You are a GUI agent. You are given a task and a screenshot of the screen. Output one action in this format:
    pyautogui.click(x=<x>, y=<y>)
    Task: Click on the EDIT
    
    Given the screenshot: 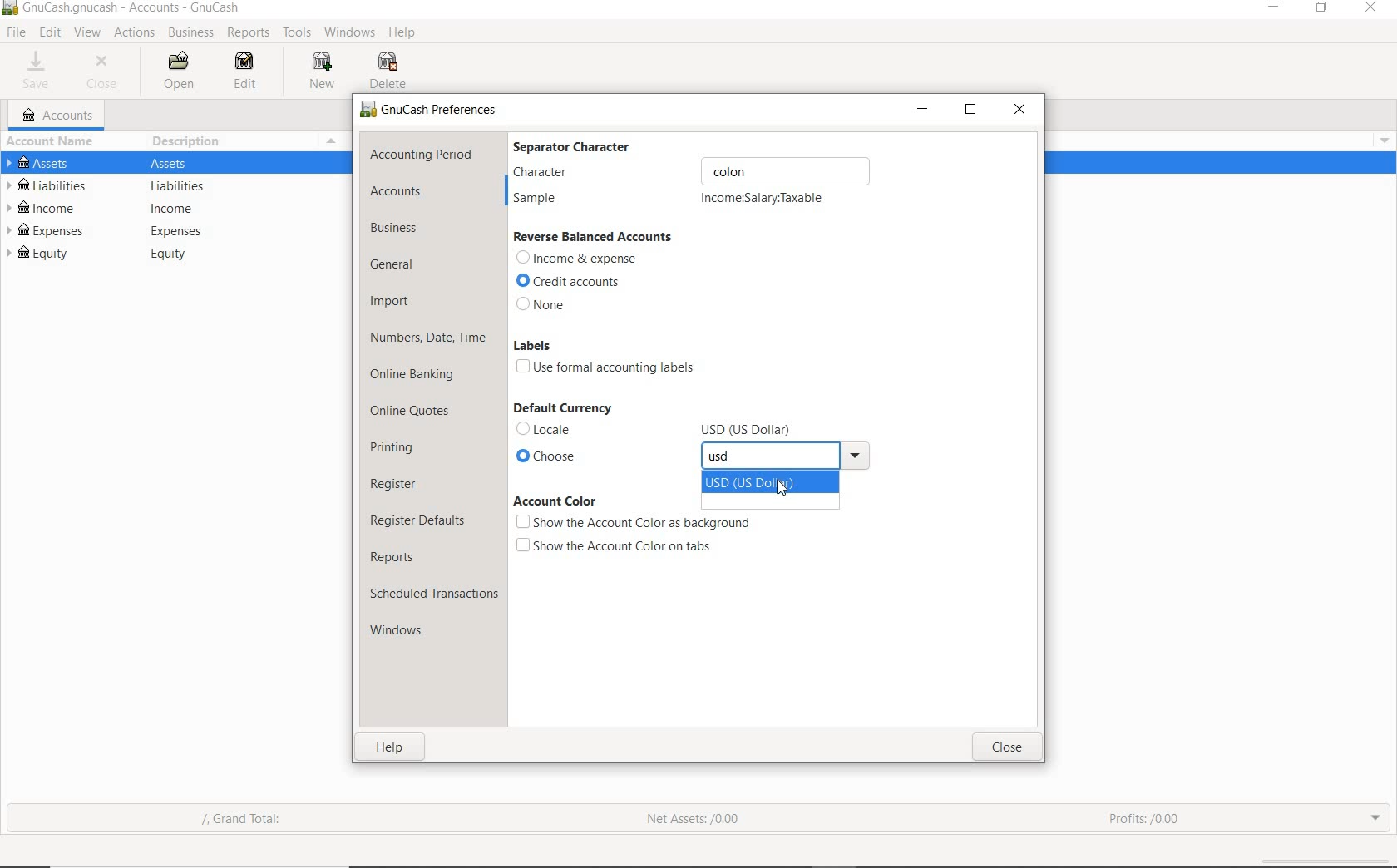 What is the action you would take?
    pyautogui.click(x=244, y=70)
    